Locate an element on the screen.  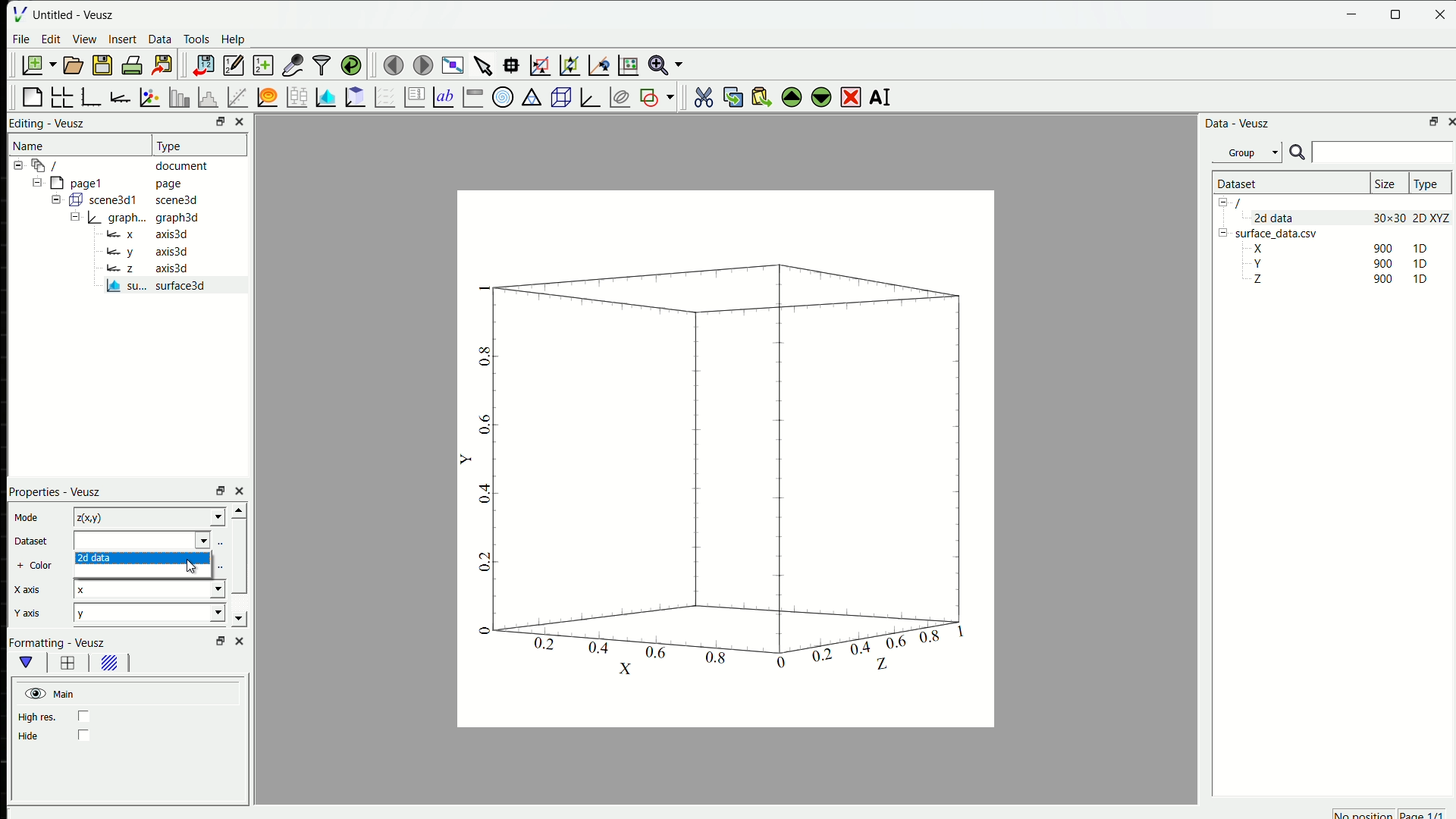
plot a vector field is located at coordinates (385, 96).